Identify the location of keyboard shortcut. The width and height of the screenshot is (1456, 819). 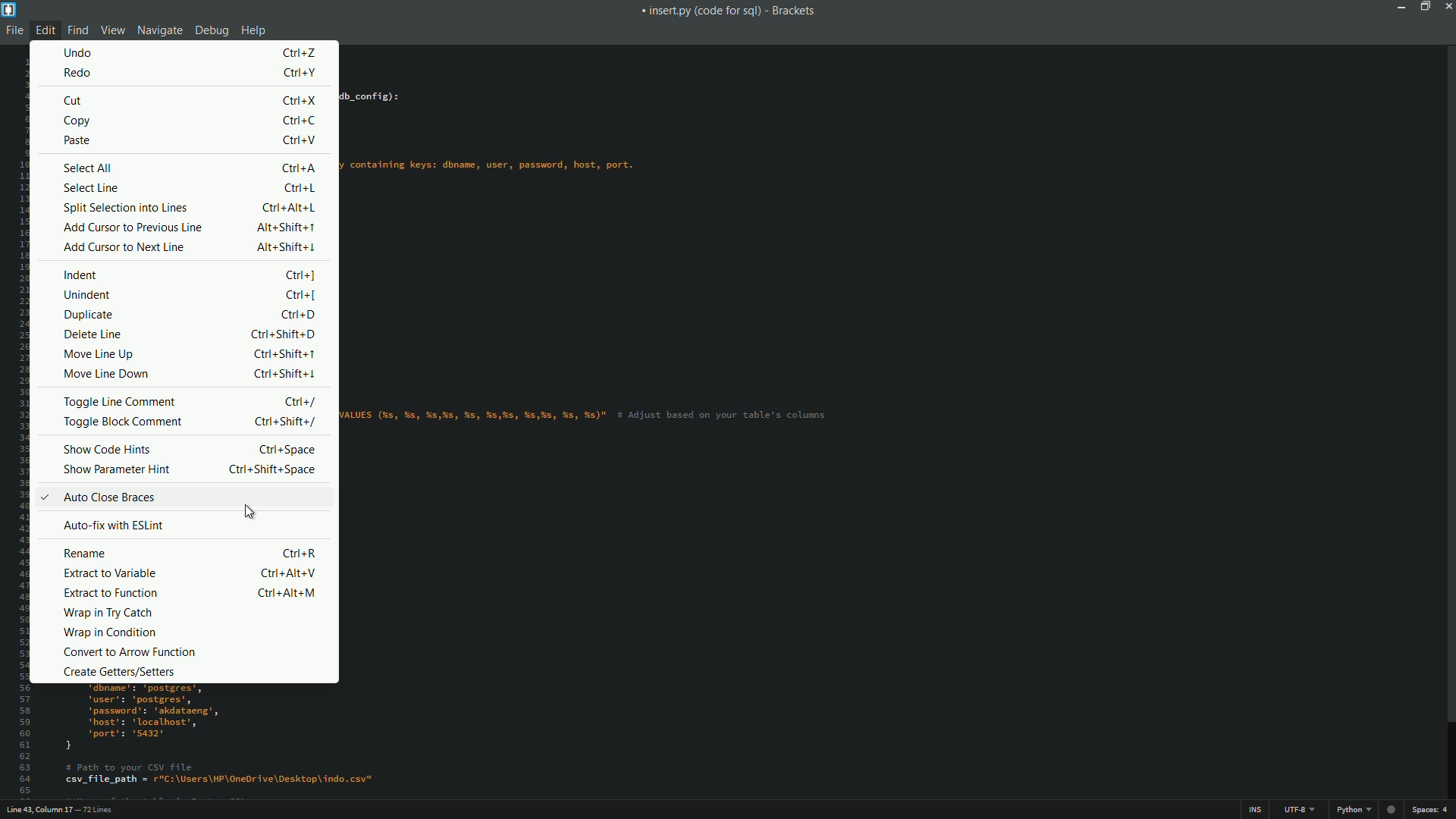
(301, 73).